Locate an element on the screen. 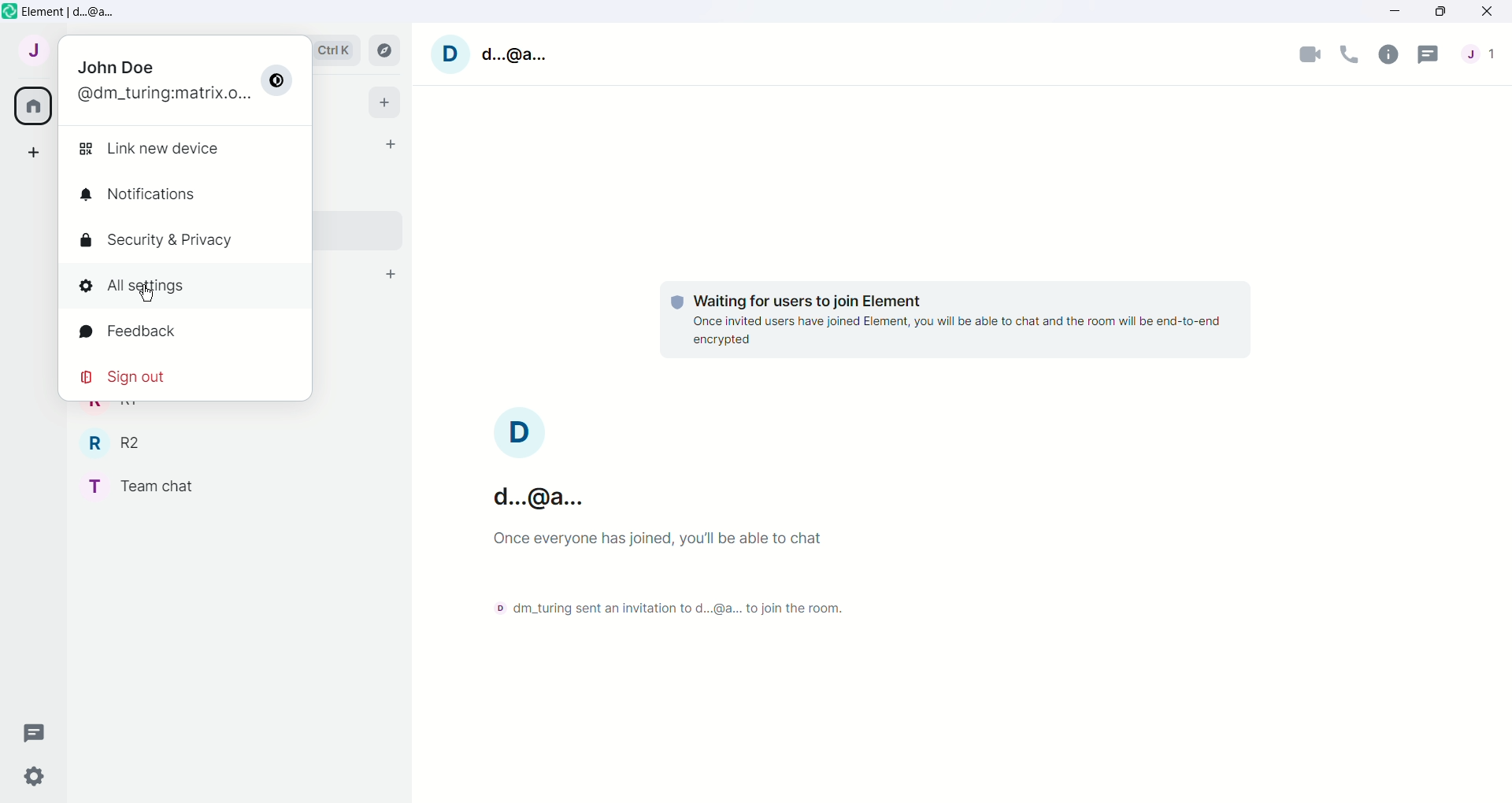  Minimize is located at coordinates (1396, 10).